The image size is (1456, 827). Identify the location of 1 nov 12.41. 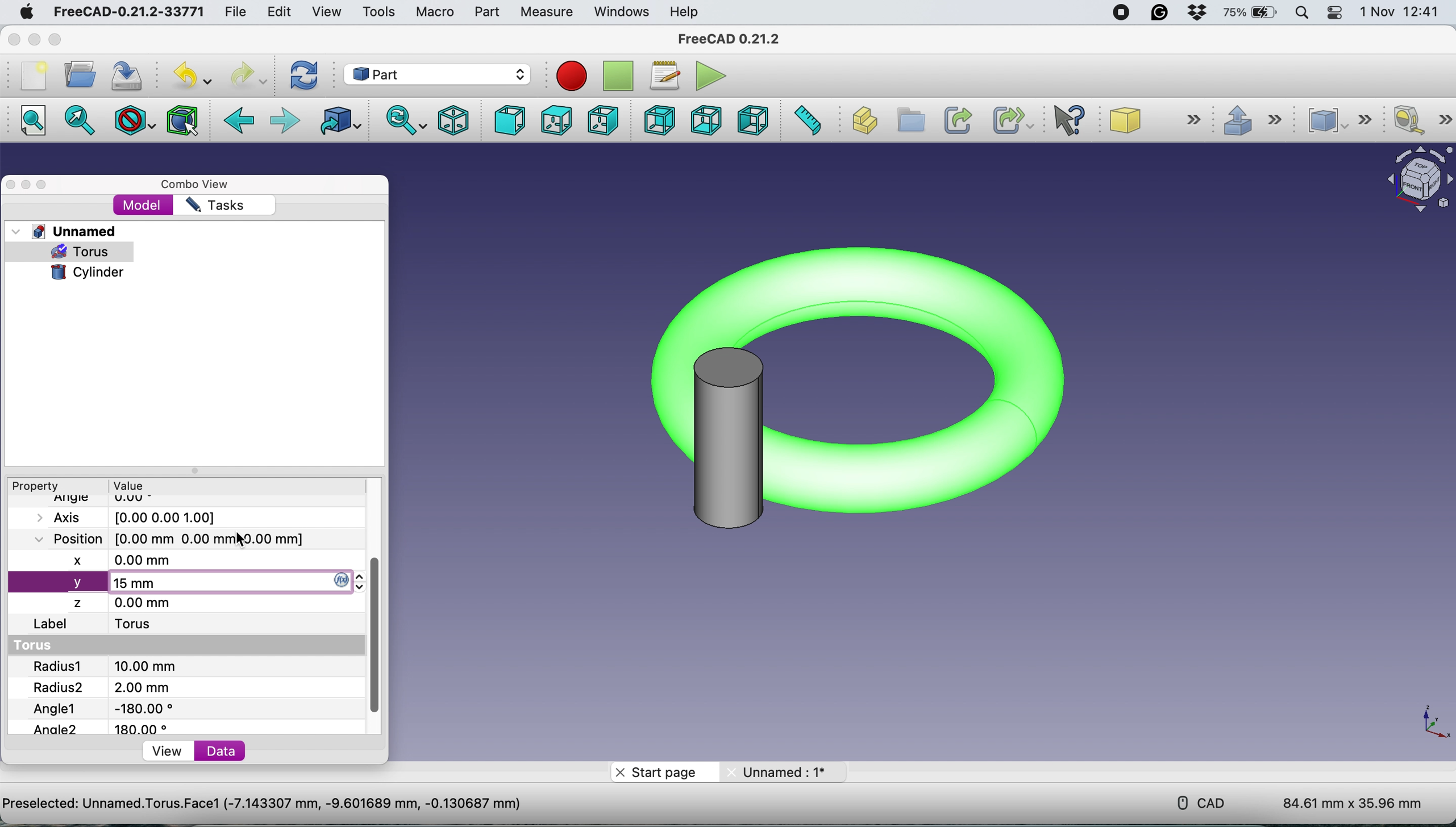
(1404, 12).